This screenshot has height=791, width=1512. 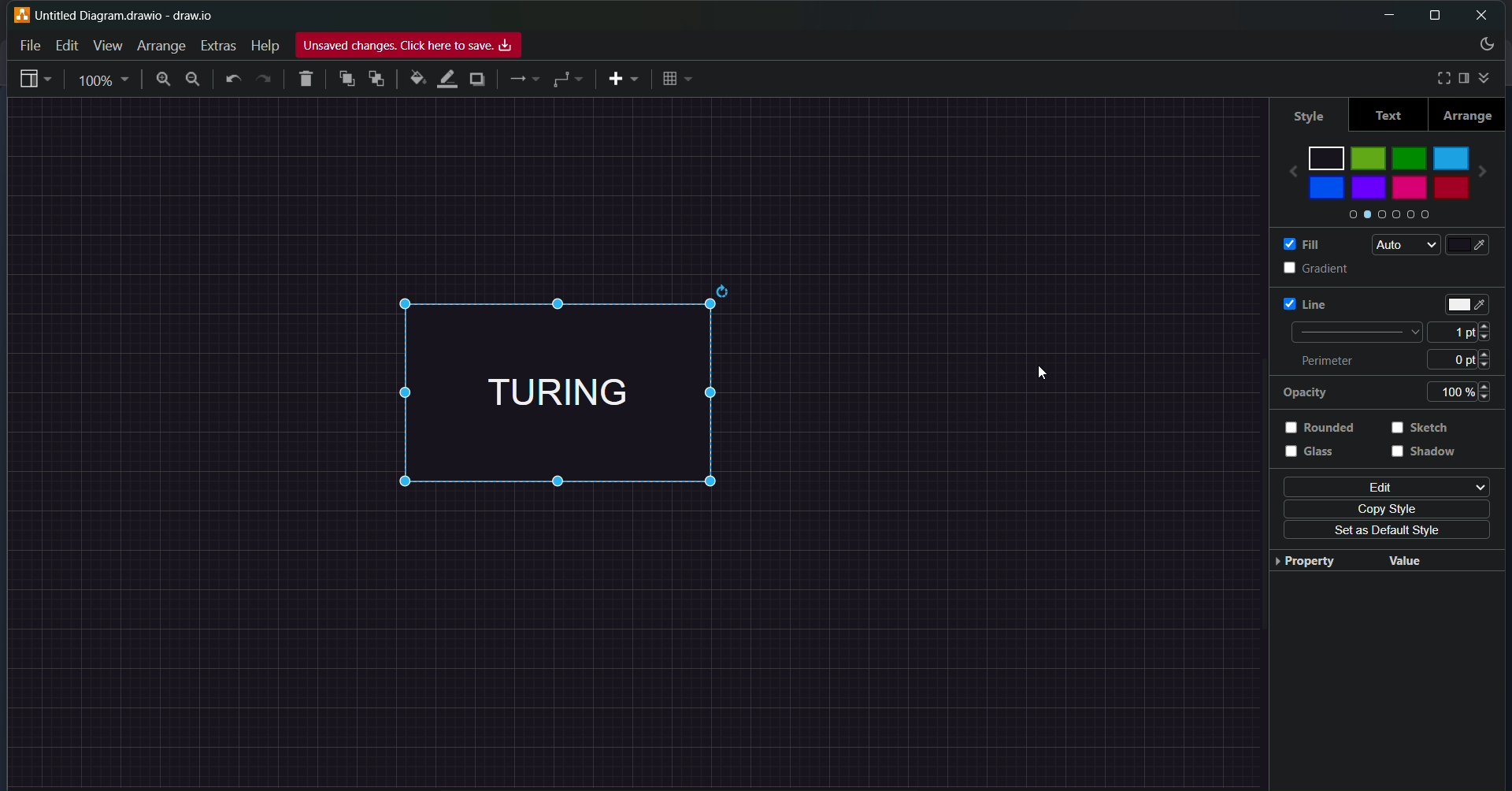 I want to click on set as default style, so click(x=1381, y=532).